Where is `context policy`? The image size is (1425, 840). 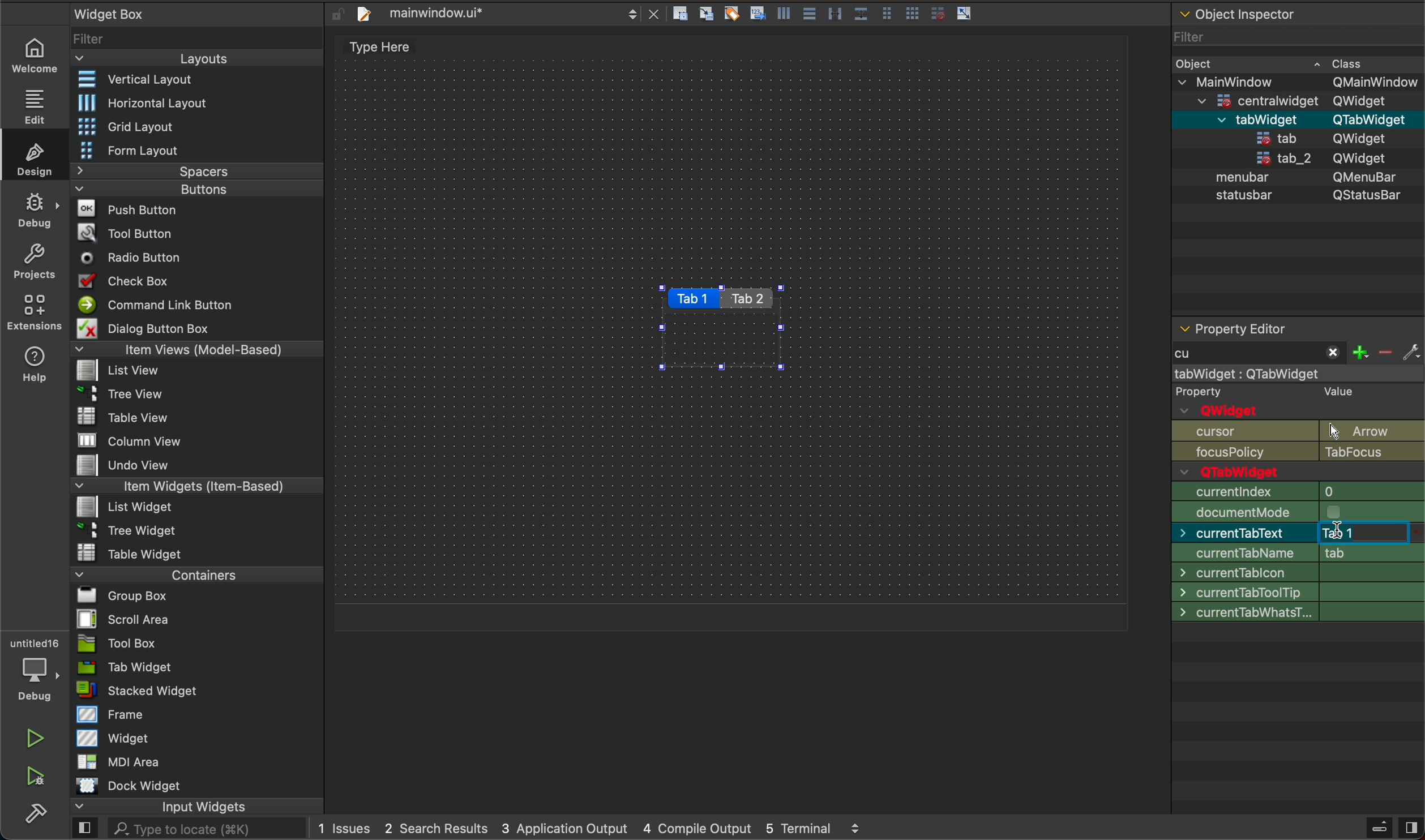
context policy is located at coordinates (1298, 735).